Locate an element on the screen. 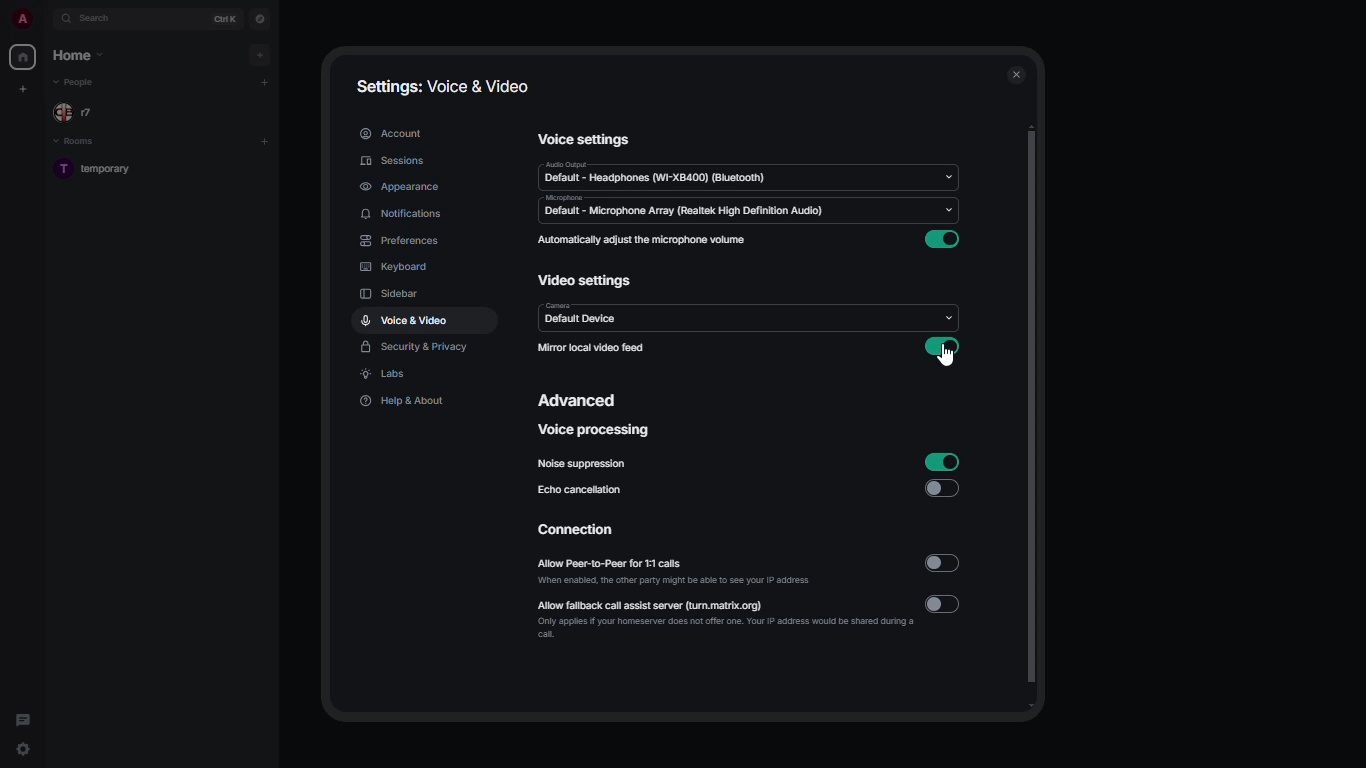 The height and width of the screenshot is (768, 1366). audio default is located at coordinates (656, 174).